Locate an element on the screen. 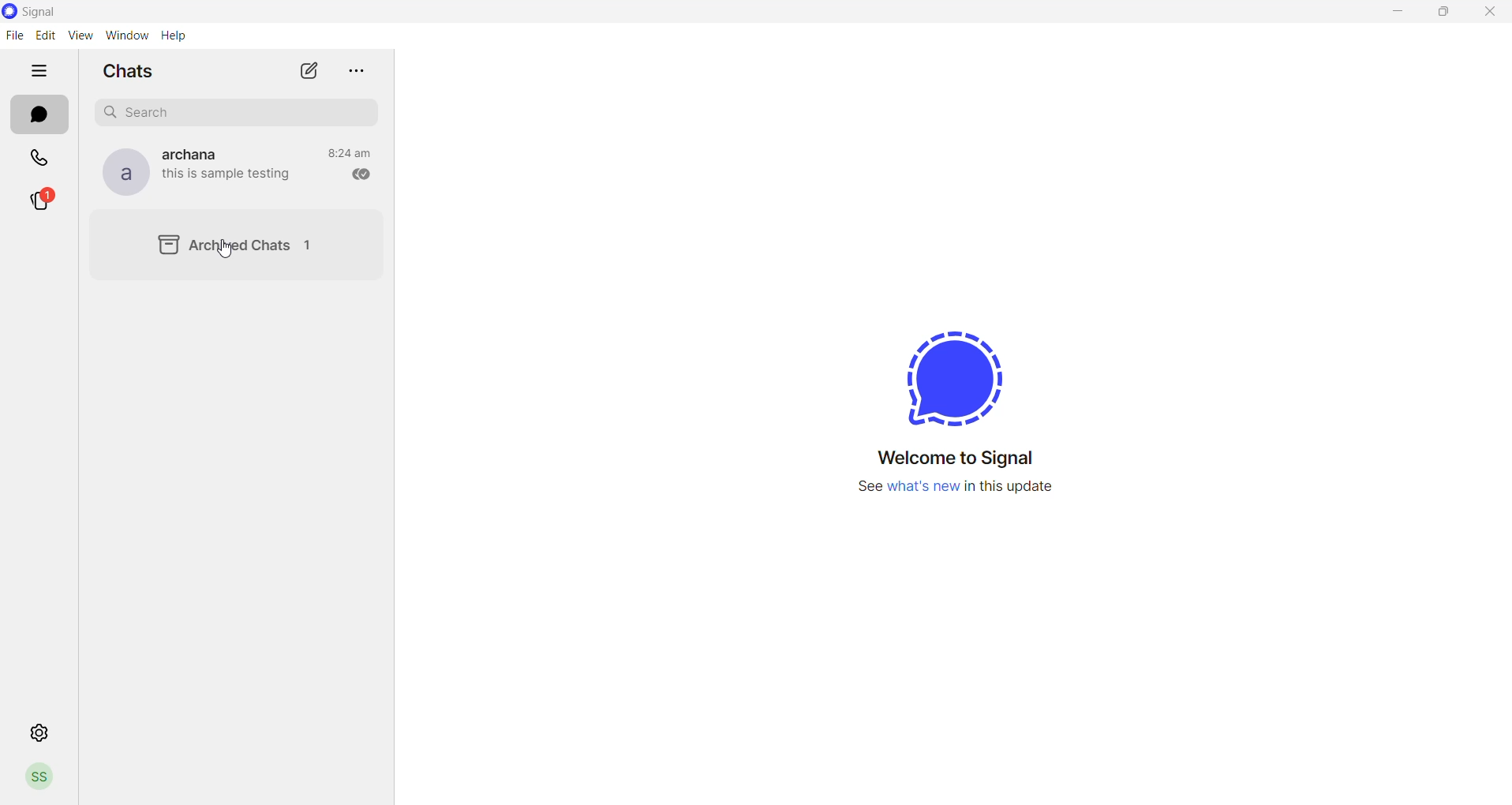 Image resolution: width=1512 pixels, height=805 pixels. last message is located at coordinates (230, 176).